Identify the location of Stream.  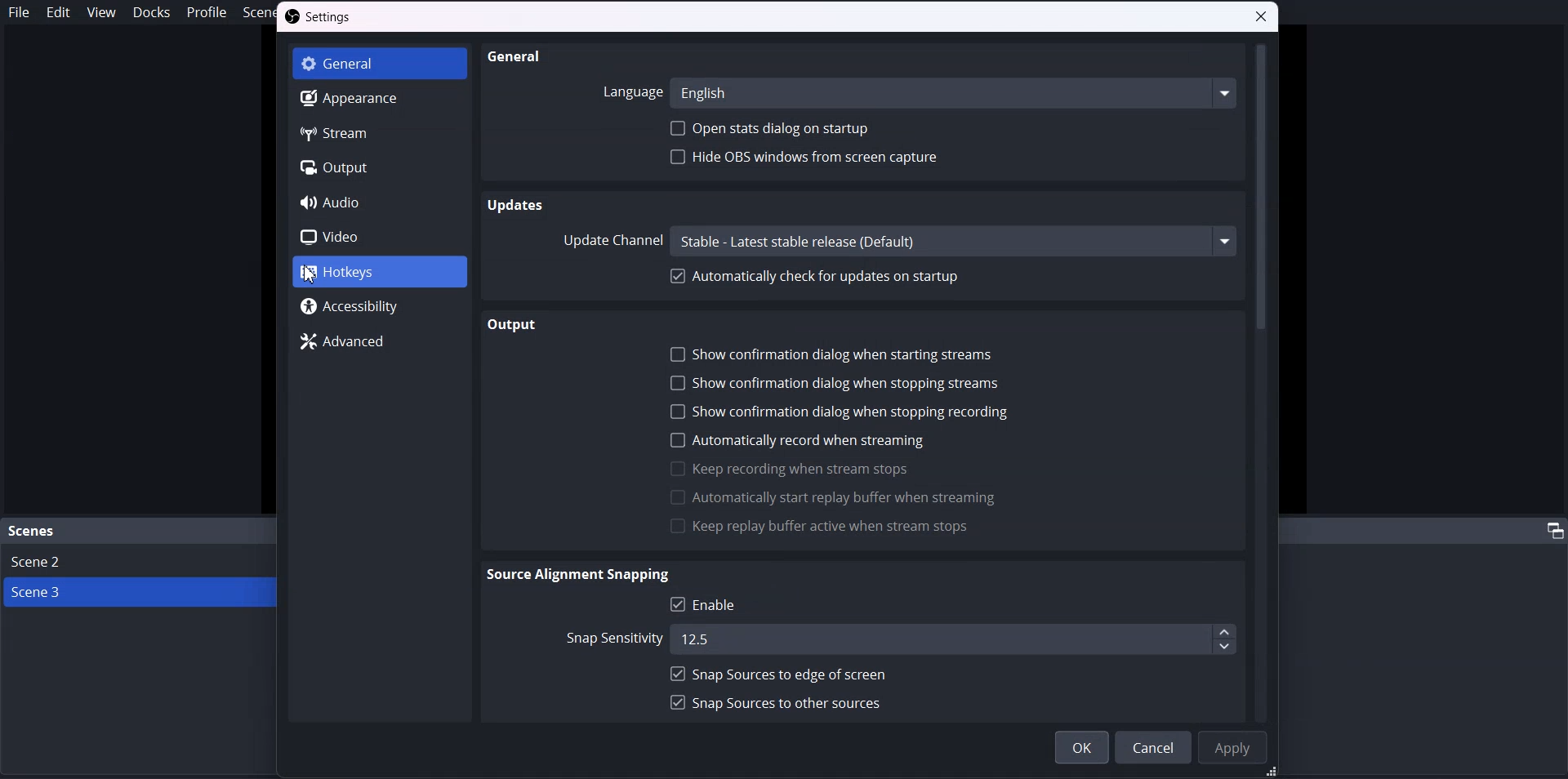
(378, 132).